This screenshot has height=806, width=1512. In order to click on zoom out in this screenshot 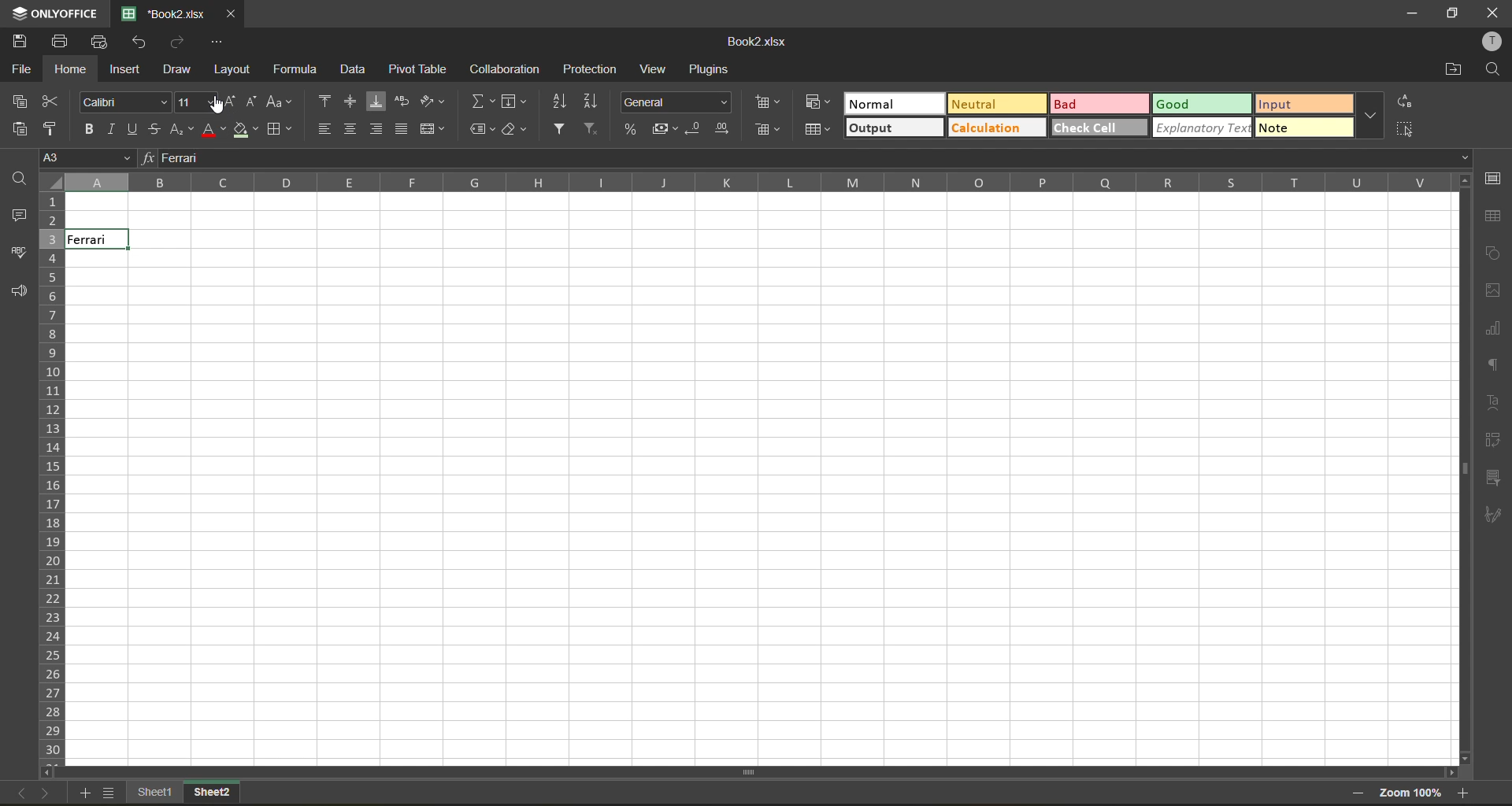, I will do `click(1358, 793)`.